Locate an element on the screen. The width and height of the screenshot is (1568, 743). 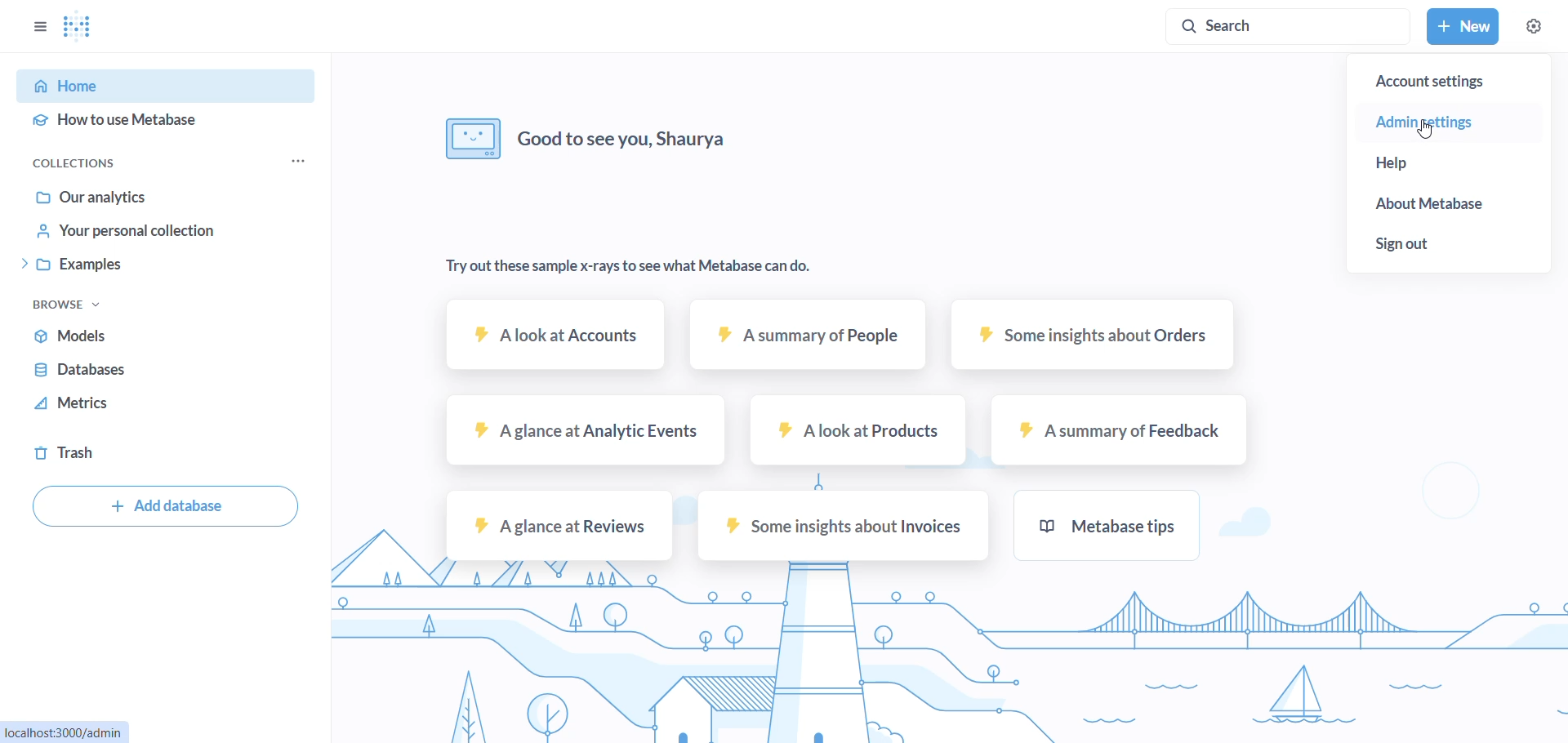
cursor is located at coordinates (1428, 131).